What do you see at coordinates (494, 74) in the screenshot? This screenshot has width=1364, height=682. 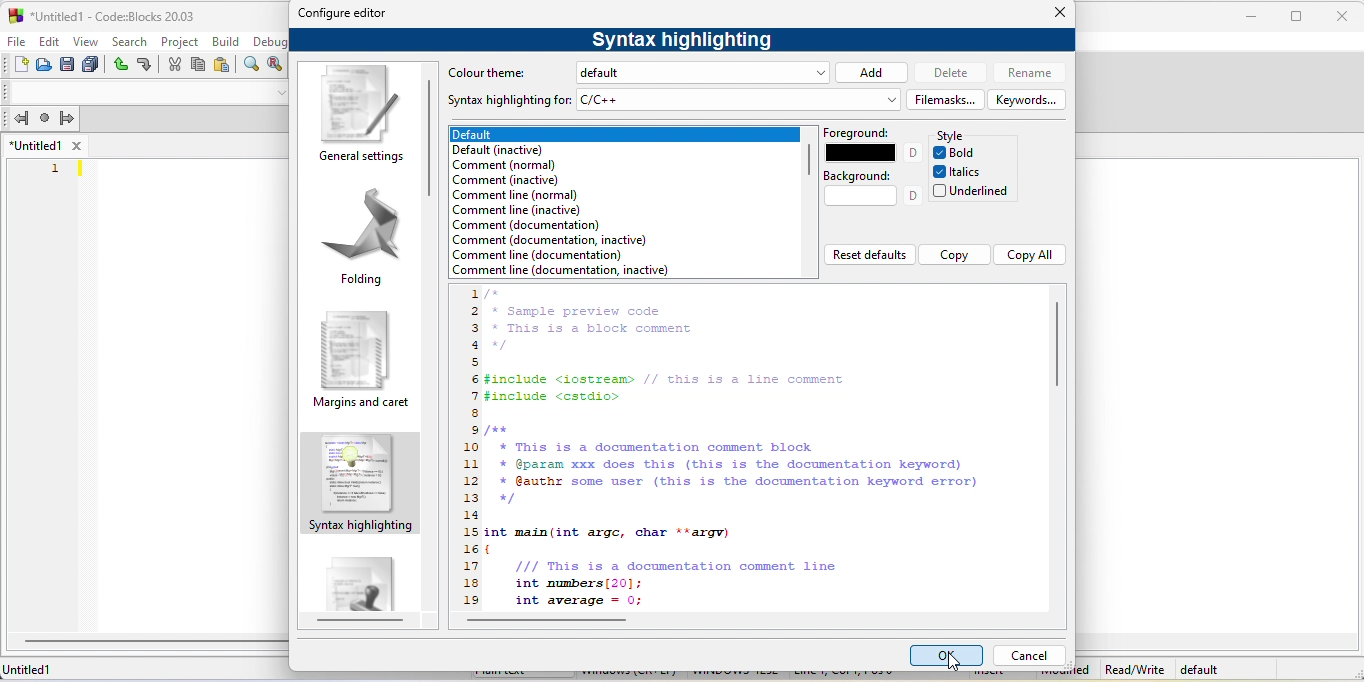 I see `colour theme` at bounding box center [494, 74].